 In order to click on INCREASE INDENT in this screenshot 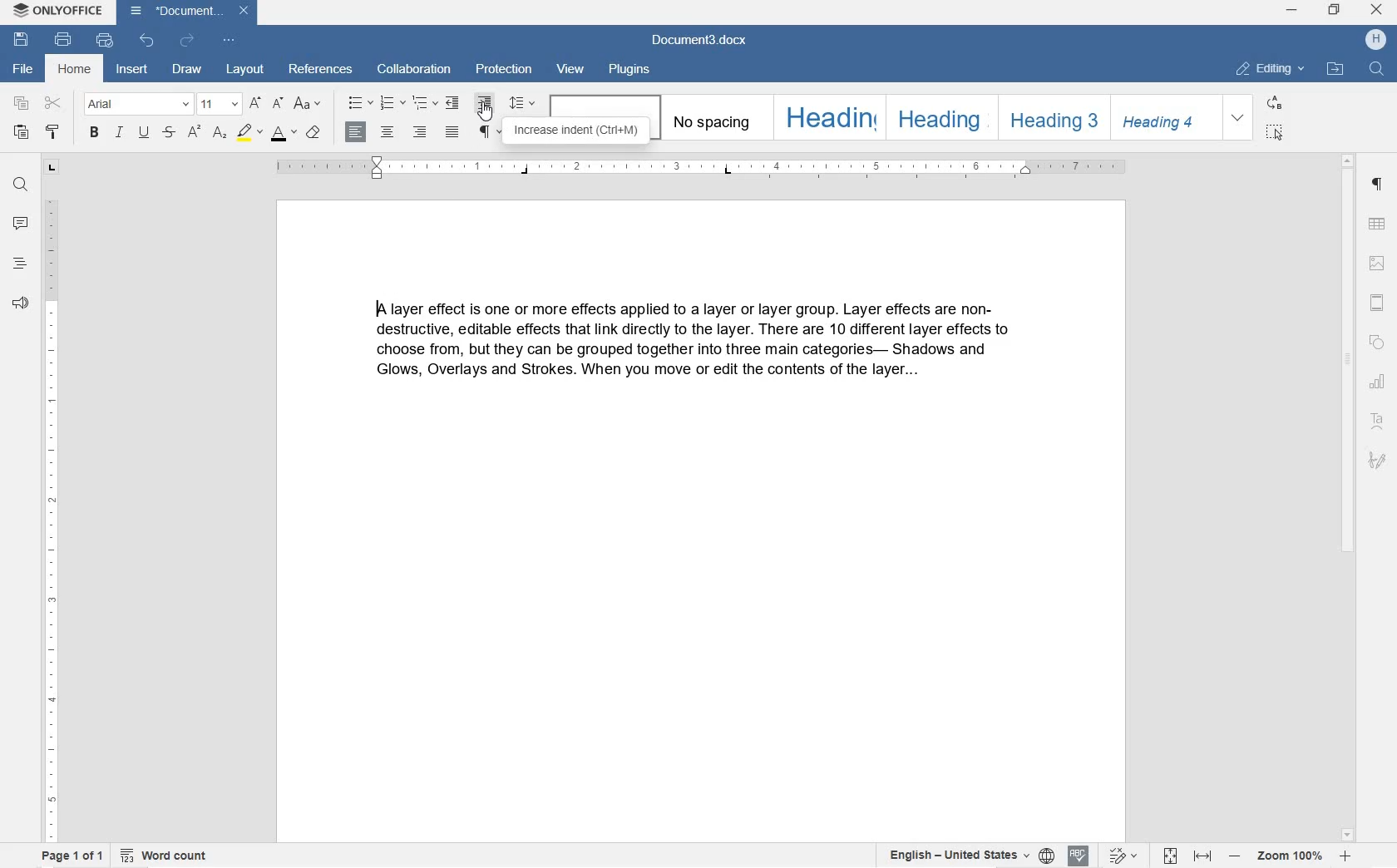, I will do `click(485, 103)`.